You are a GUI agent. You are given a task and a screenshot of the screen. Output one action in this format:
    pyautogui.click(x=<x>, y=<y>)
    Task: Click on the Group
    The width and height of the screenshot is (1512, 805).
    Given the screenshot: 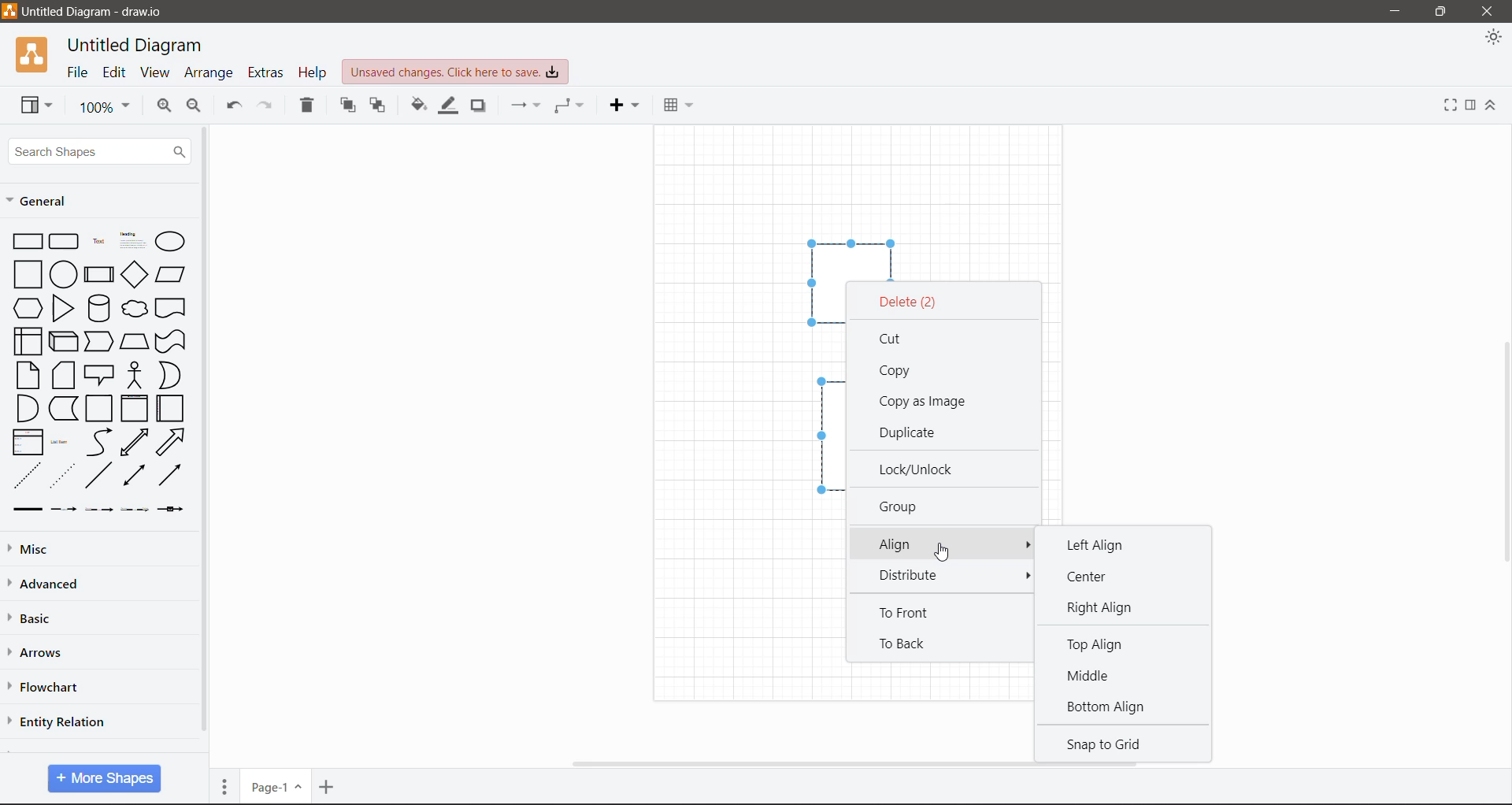 What is the action you would take?
    pyautogui.click(x=904, y=506)
    